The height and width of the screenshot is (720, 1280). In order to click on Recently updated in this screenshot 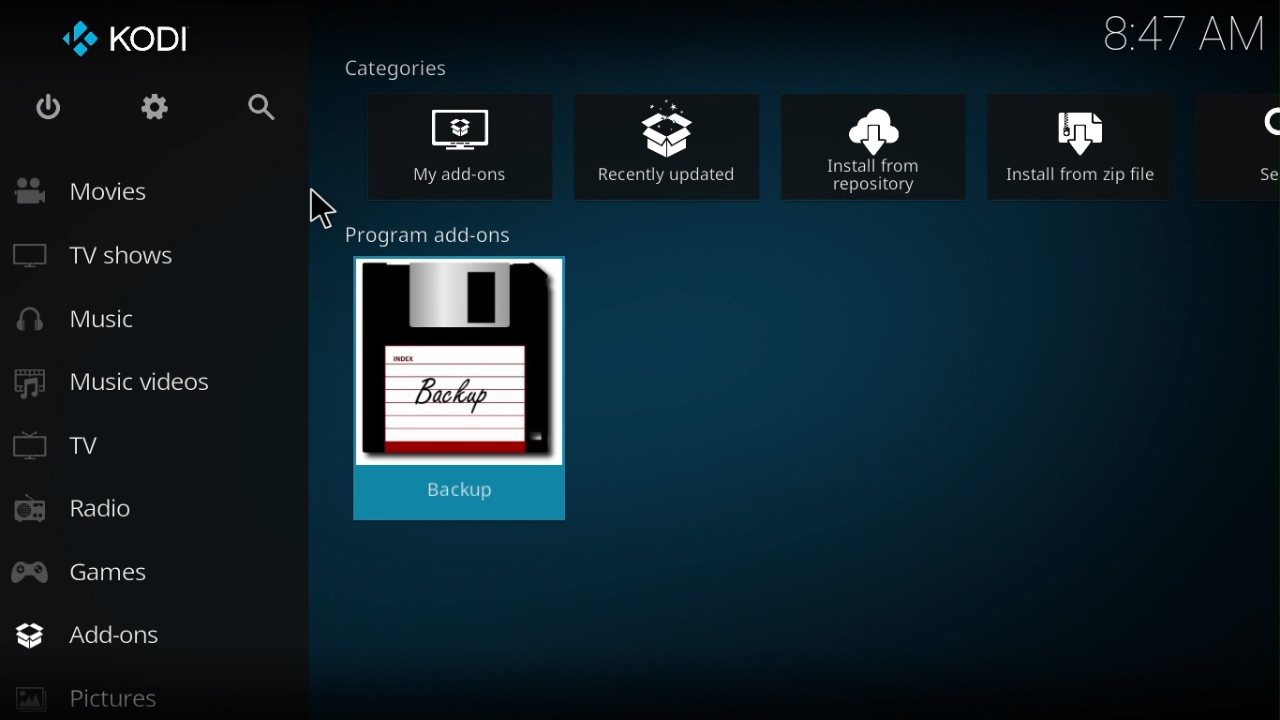, I will do `click(677, 142)`.